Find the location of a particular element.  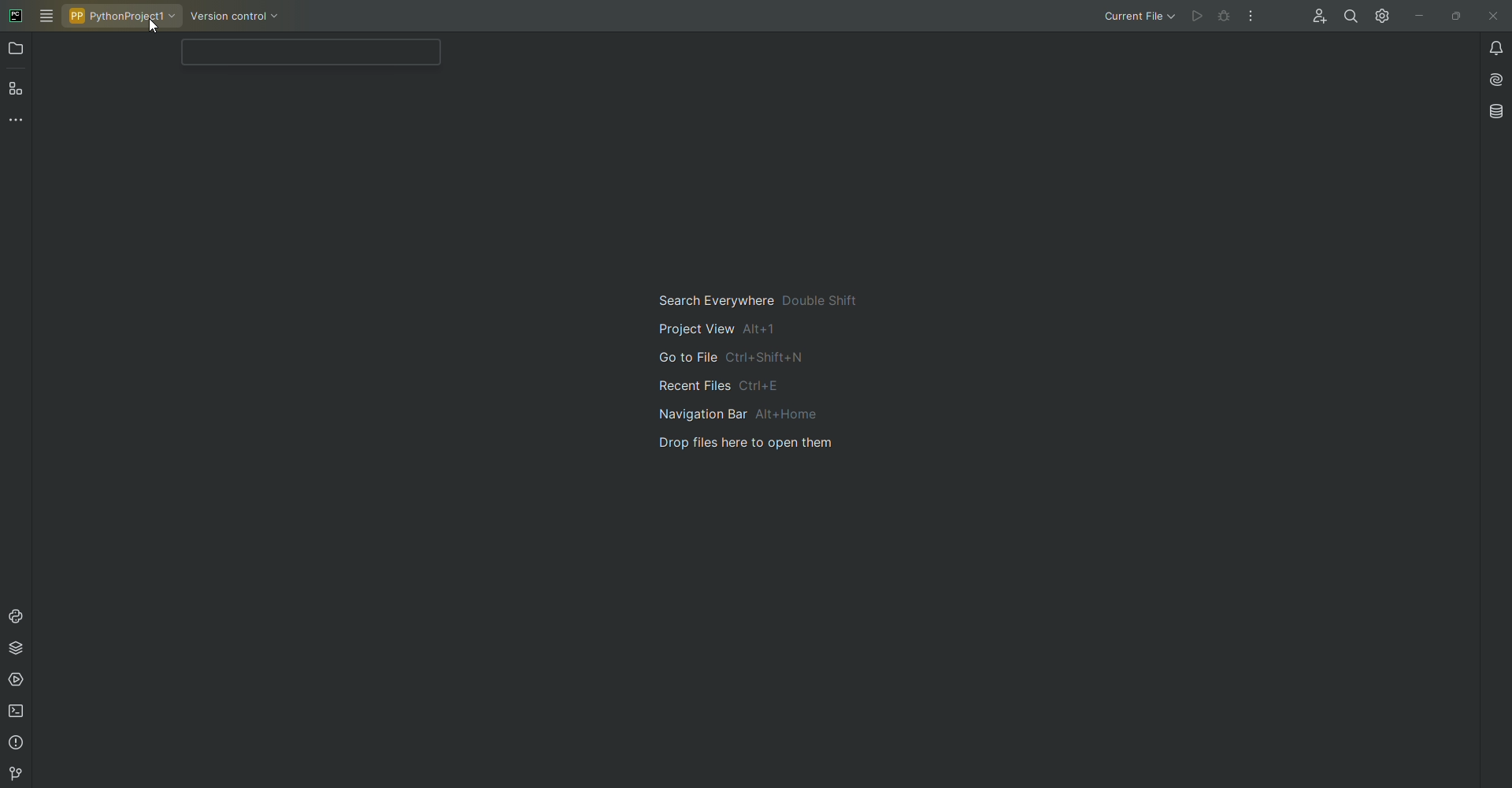

cursor is located at coordinates (148, 29).